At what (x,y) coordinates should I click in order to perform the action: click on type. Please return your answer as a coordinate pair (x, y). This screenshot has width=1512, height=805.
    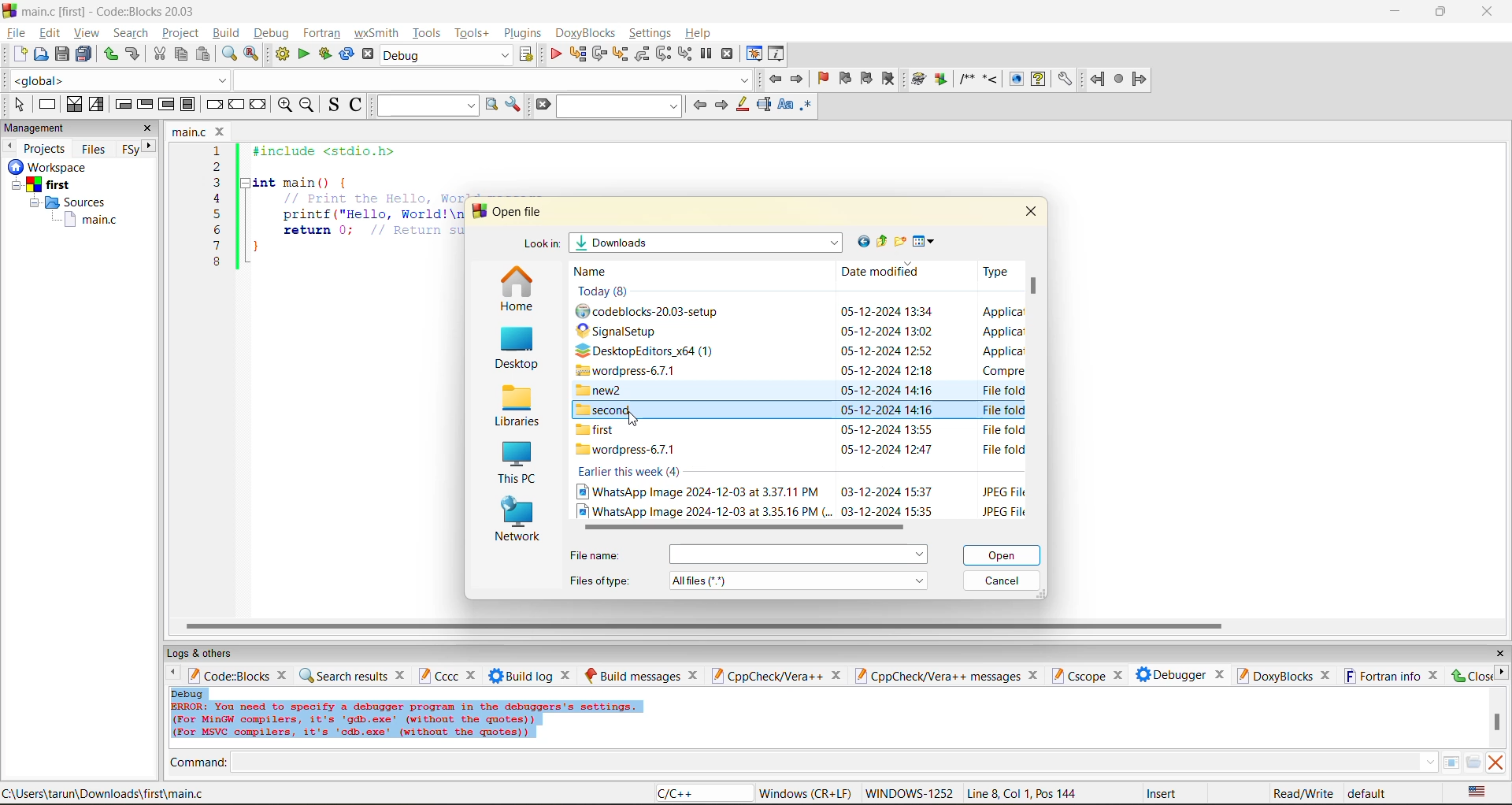
    Looking at the image, I should click on (994, 271).